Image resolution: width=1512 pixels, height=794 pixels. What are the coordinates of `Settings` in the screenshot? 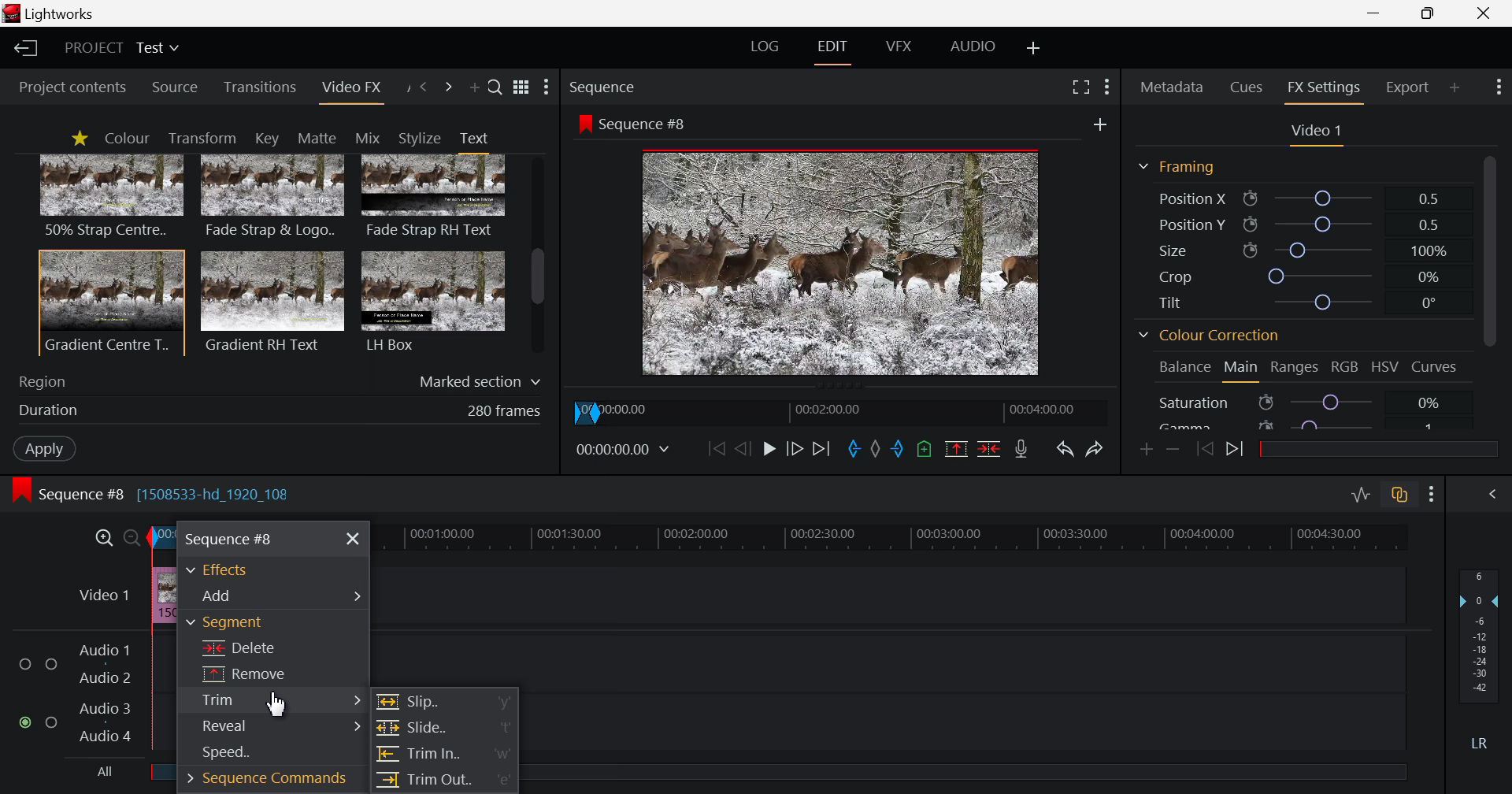 It's located at (1432, 495).